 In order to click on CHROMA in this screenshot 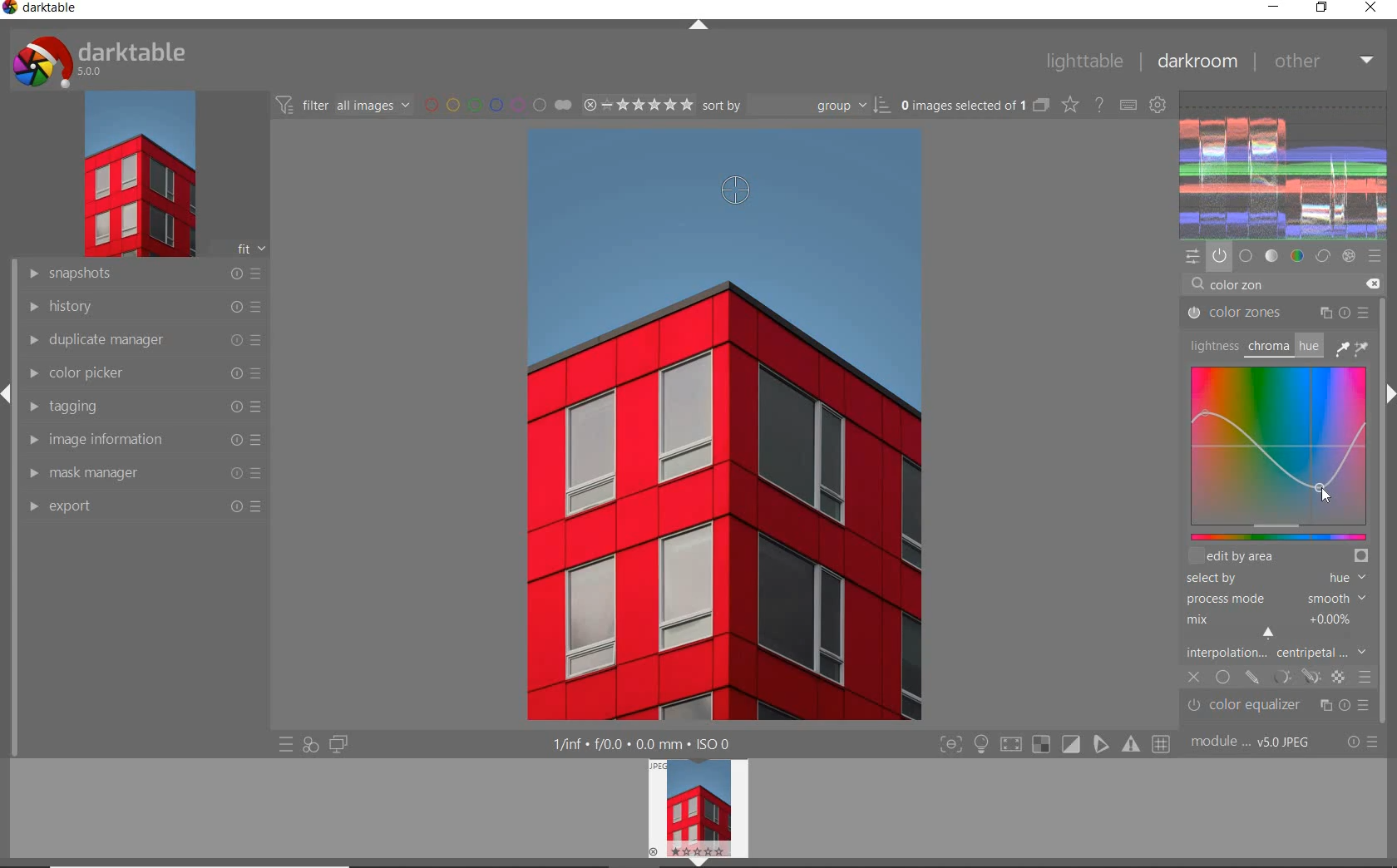, I will do `click(1267, 348)`.